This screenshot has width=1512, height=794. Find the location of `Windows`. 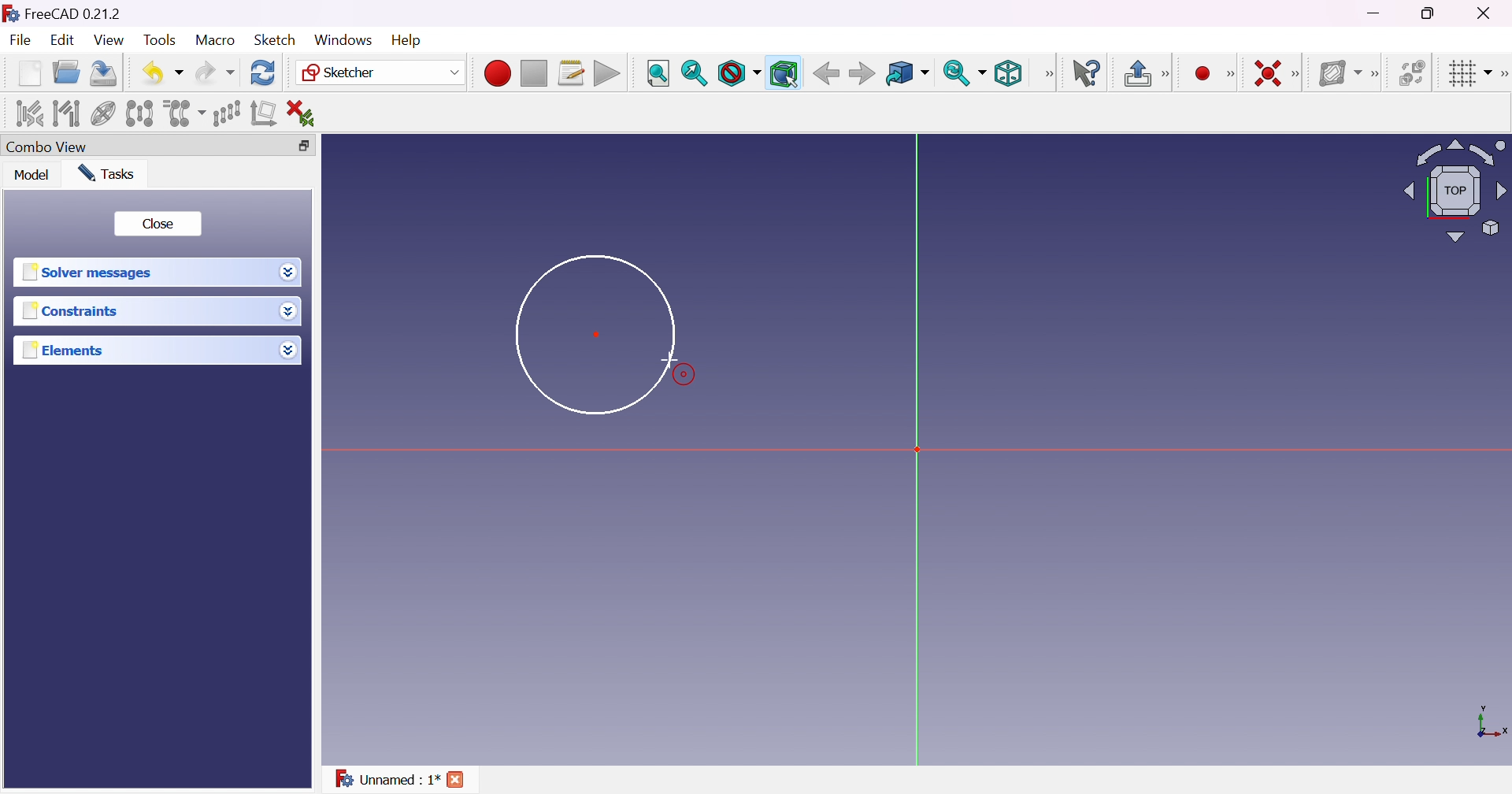

Windows is located at coordinates (343, 39).